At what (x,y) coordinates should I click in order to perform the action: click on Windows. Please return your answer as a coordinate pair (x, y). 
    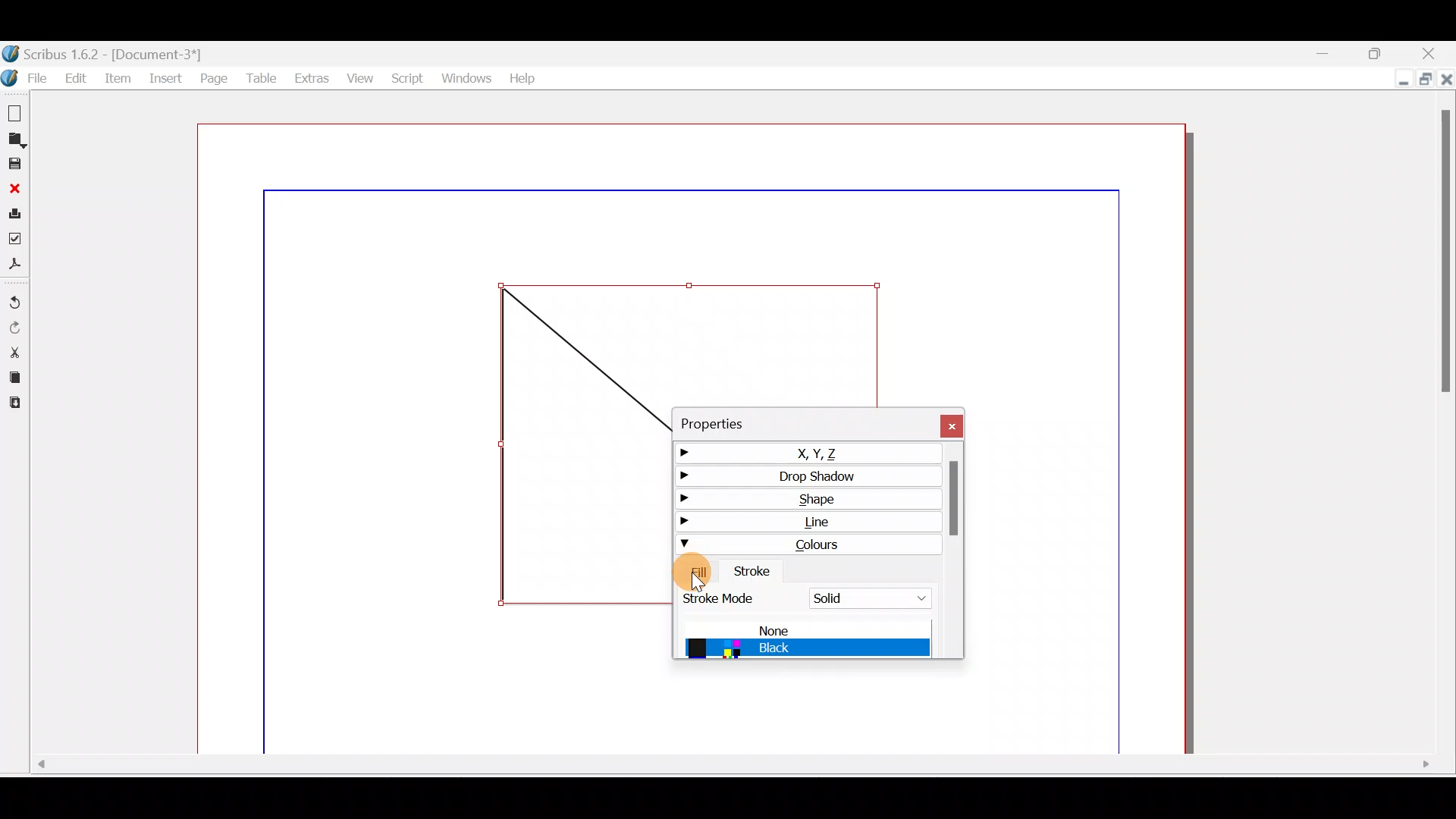
    Looking at the image, I should click on (464, 75).